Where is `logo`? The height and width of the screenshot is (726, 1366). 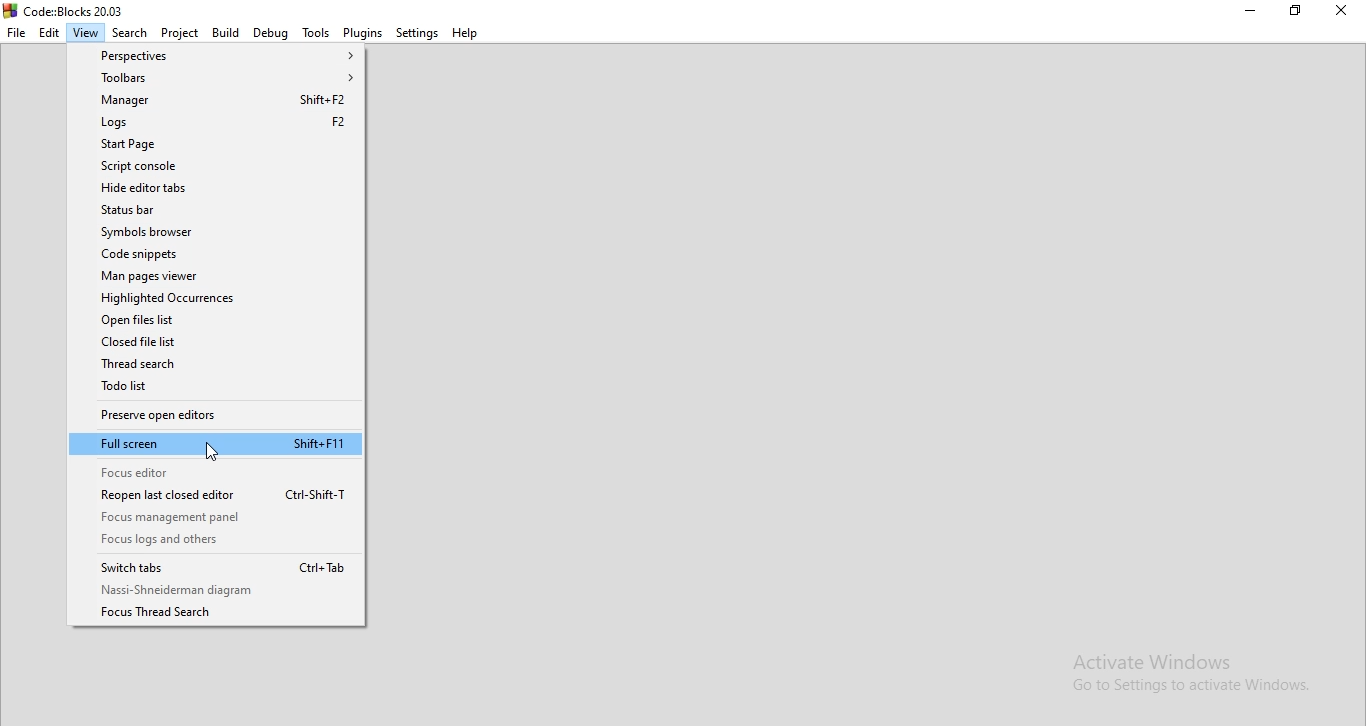
logo is located at coordinates (65, 9).